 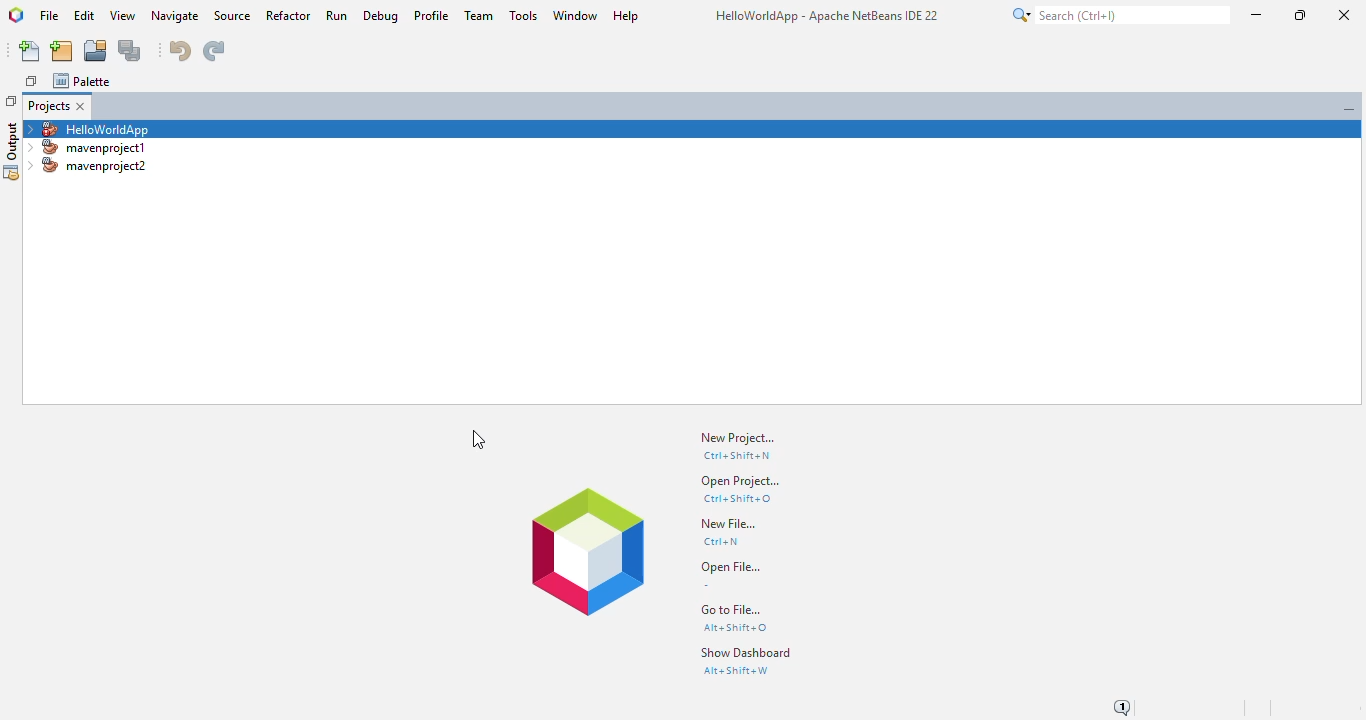 I want to click on source, so click(x=233, y=16).